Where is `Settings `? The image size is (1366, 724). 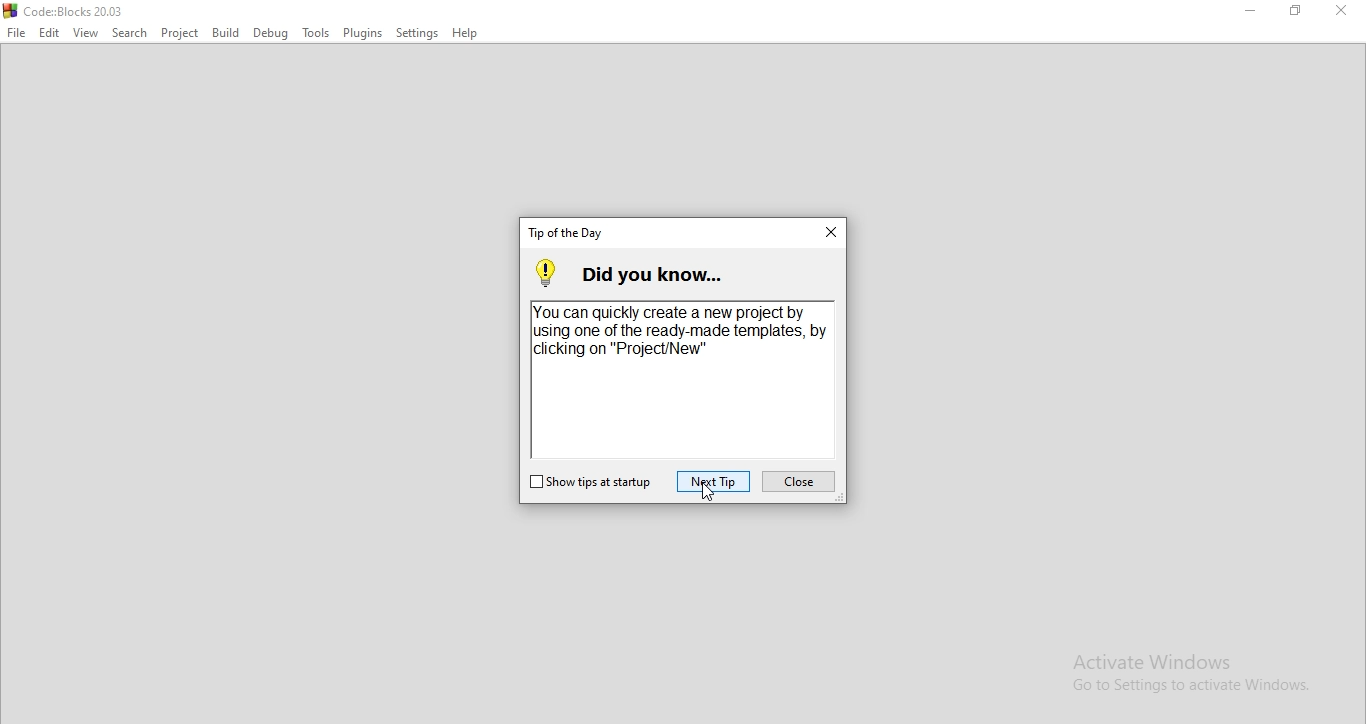 Settings  is located at coordinates (414, 32).